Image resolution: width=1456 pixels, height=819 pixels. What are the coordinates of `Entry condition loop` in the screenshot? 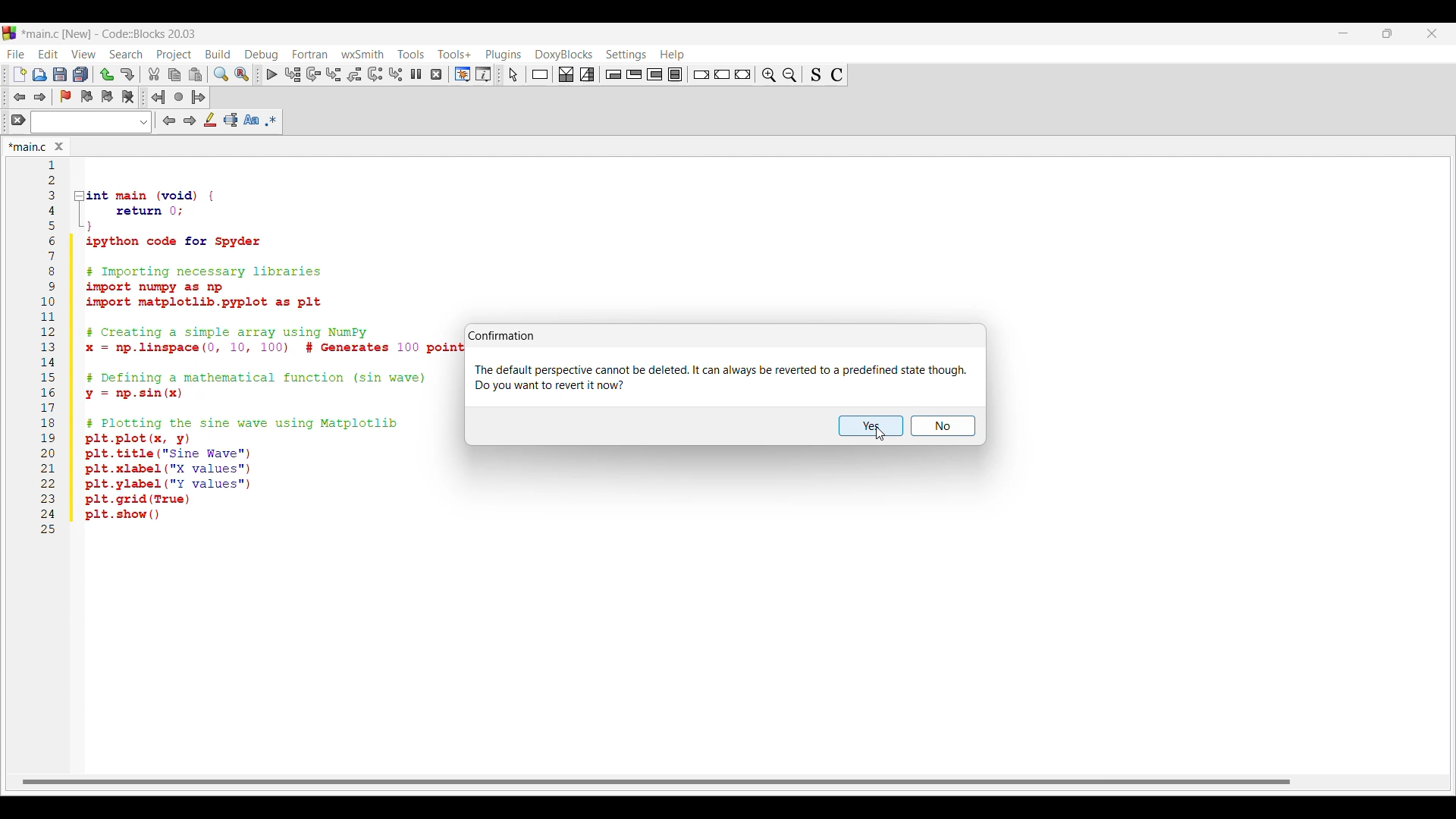 It's located at (613, 74).